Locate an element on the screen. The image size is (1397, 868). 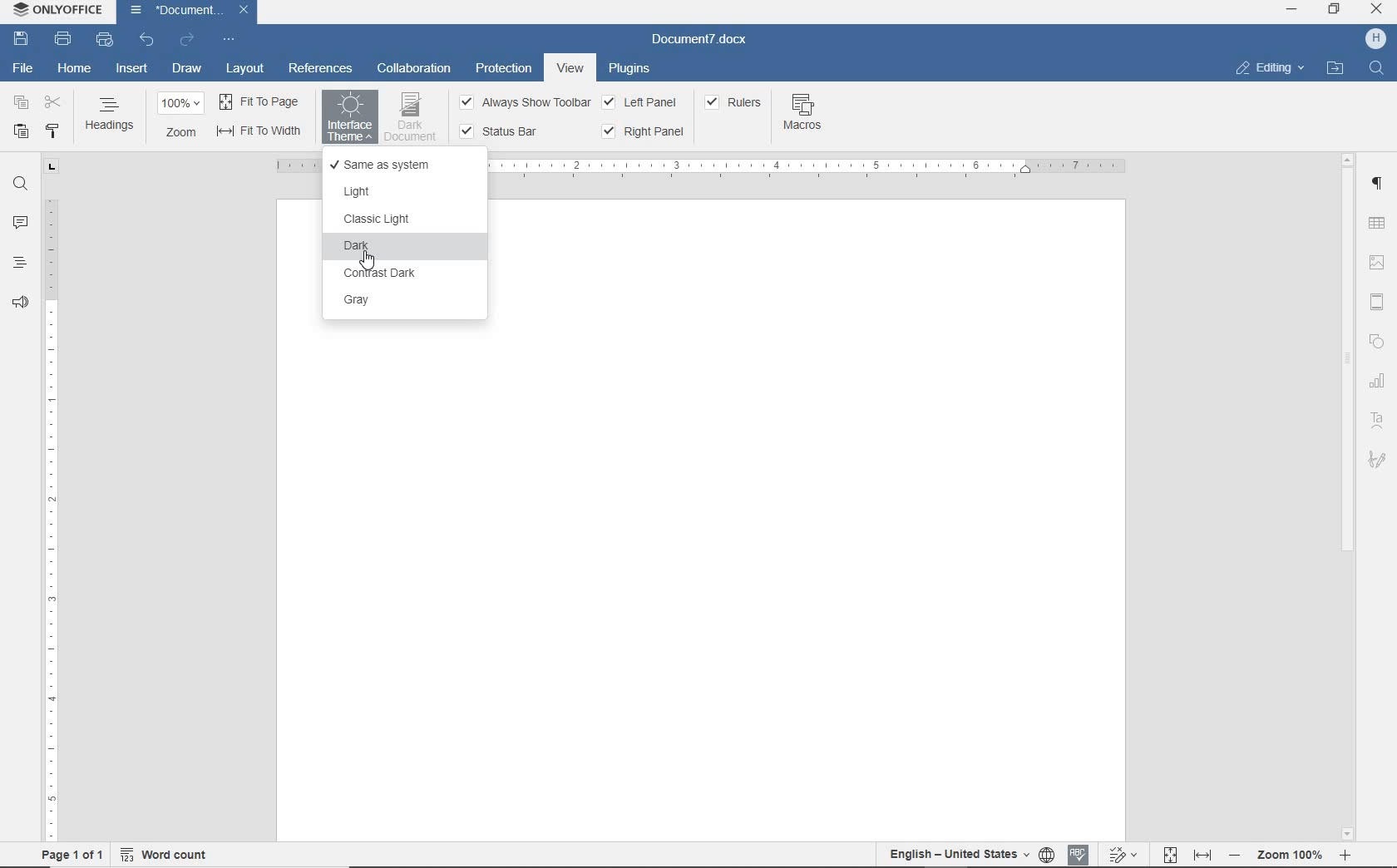
WORD COUNT is located at coordinates (166, 852).